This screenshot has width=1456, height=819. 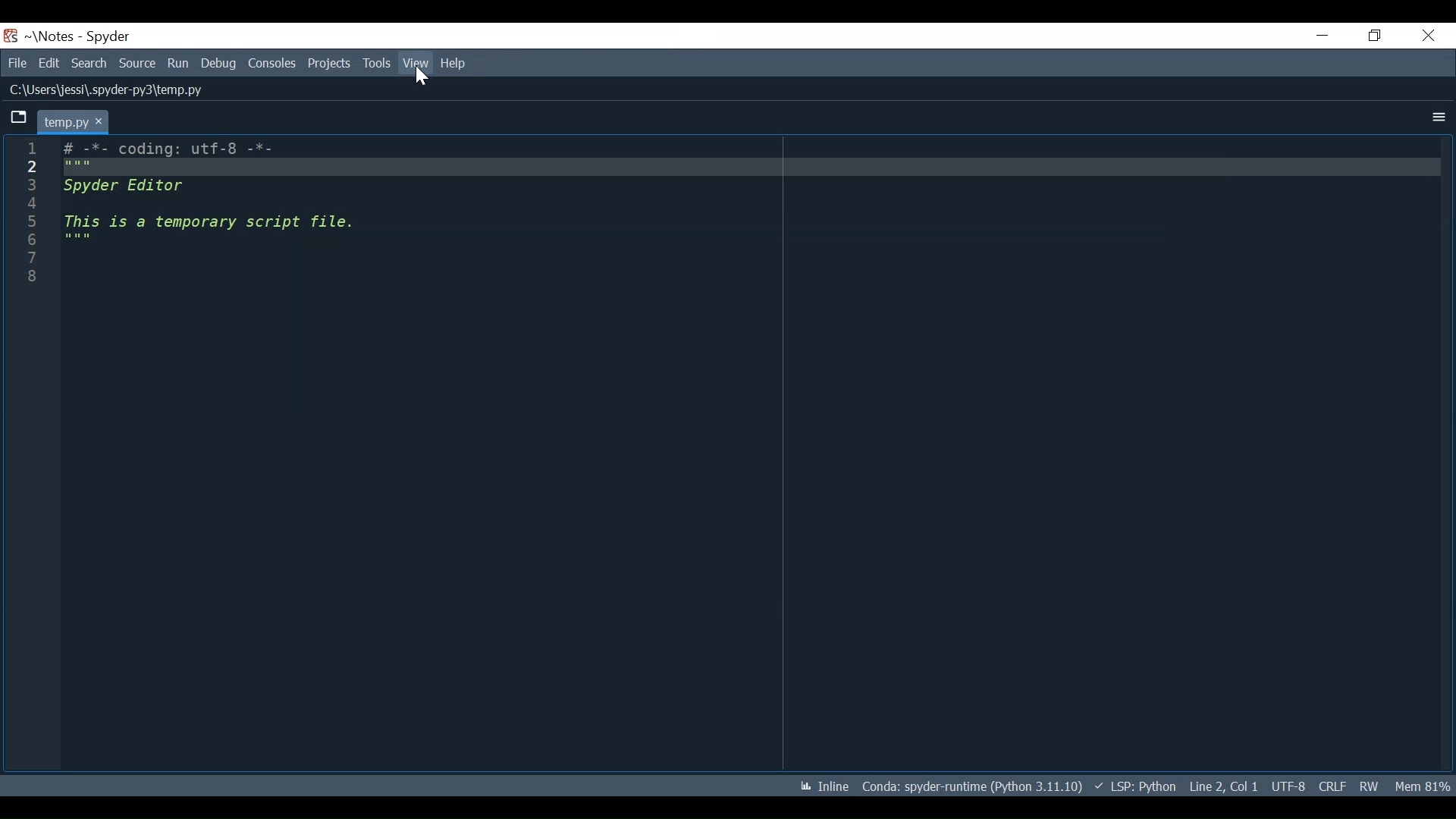 I want to click on Conda Environment Indicator, so click(x=971, y=786).